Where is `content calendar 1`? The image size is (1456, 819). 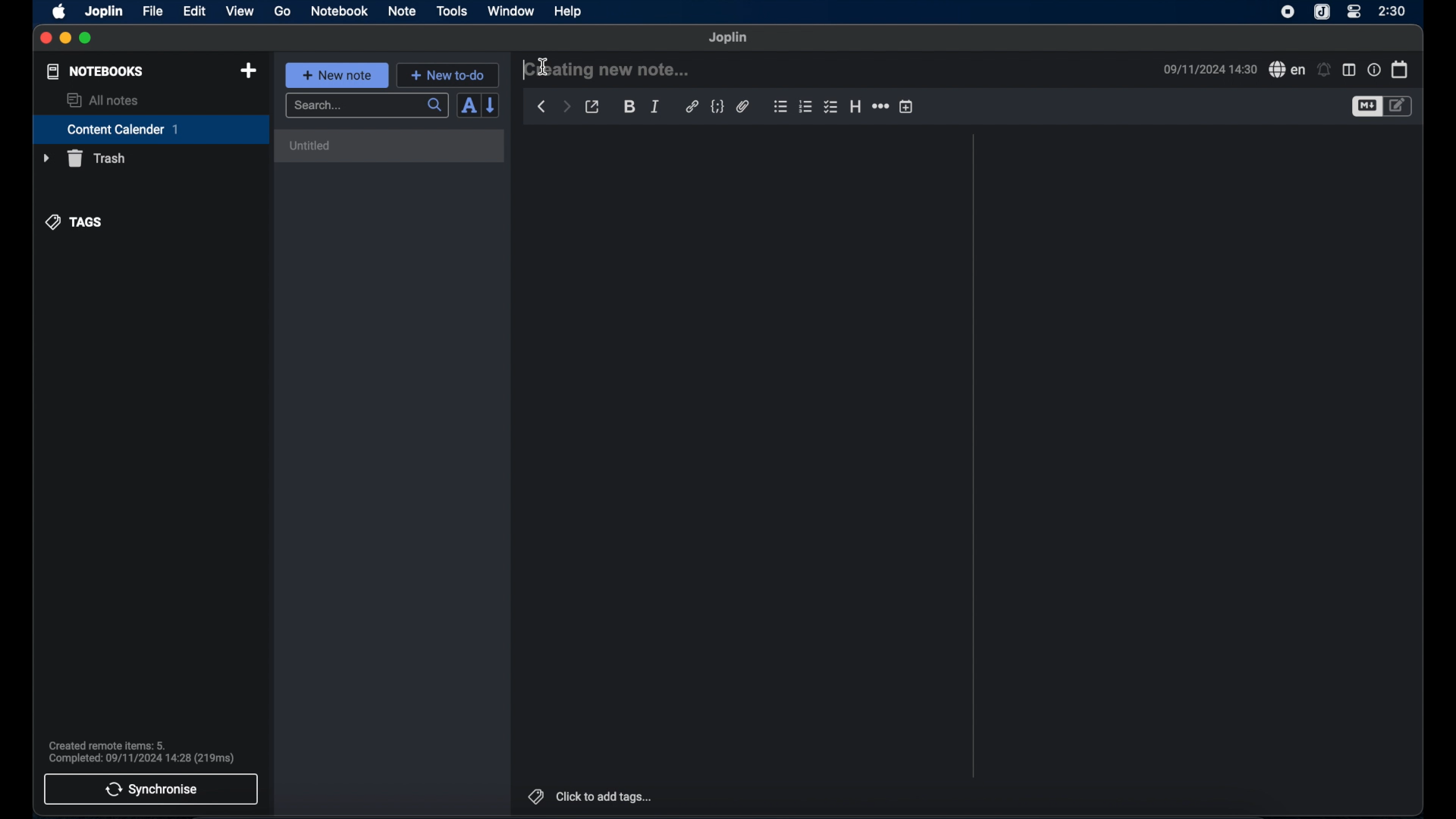
content calendar 1 is located at coordinates (151, 129).